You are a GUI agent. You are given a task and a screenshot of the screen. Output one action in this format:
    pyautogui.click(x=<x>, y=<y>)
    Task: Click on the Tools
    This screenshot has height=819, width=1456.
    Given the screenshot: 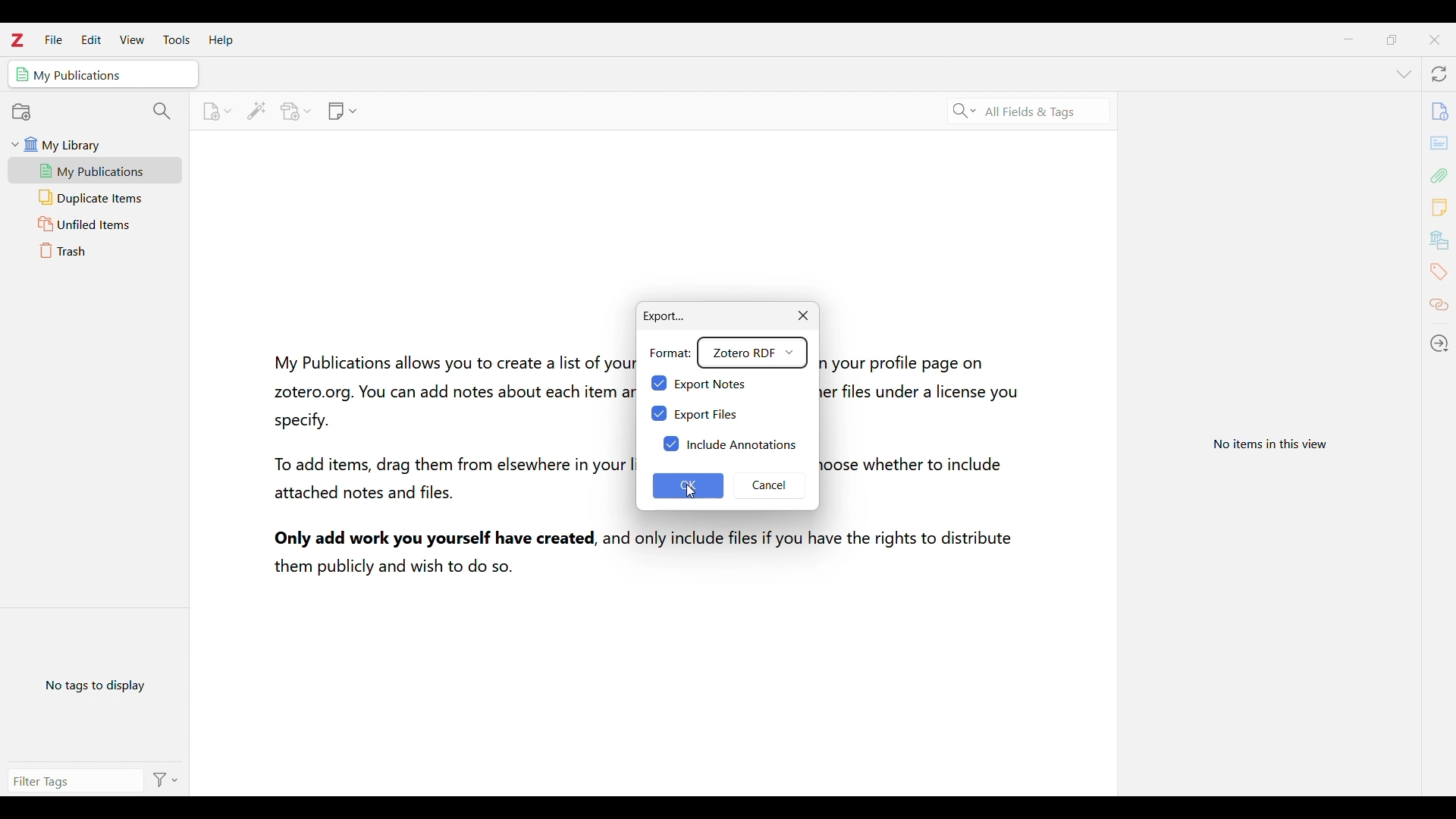 What is the action you would take?
    pyautogui.click(x=177, y=39)
    